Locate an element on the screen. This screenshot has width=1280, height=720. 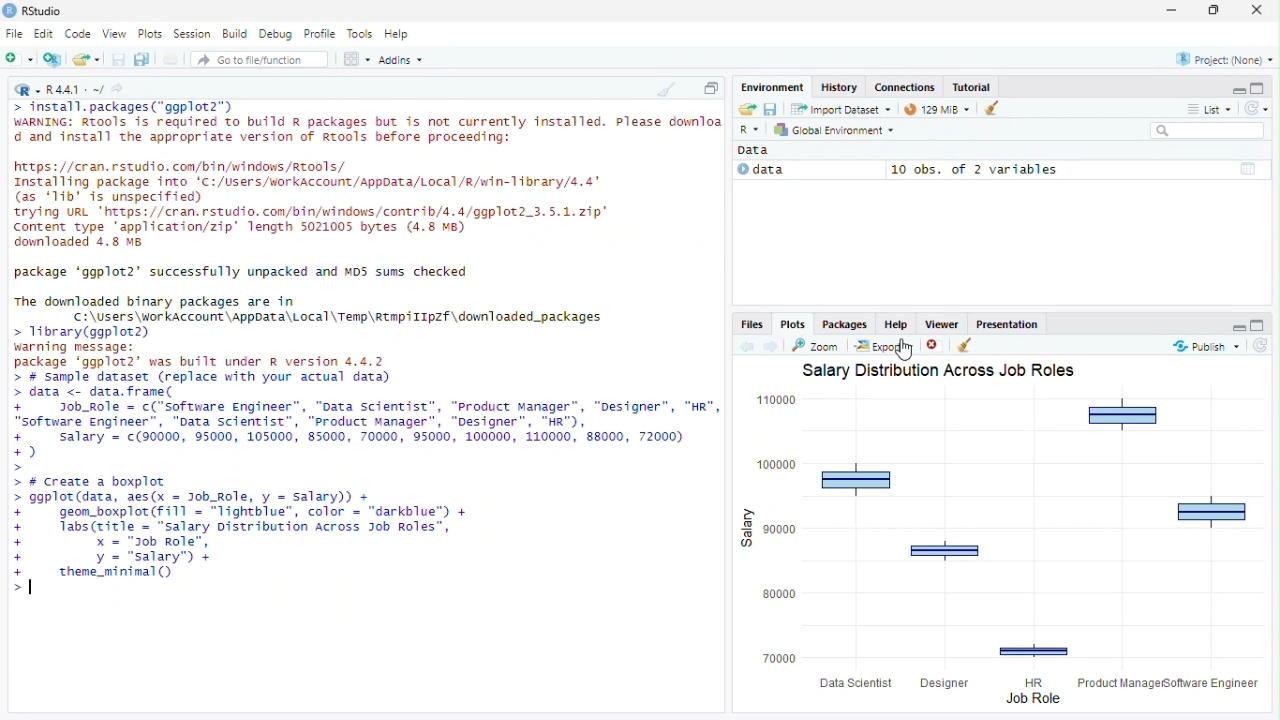
R Language is located at coordinates (27, 91).